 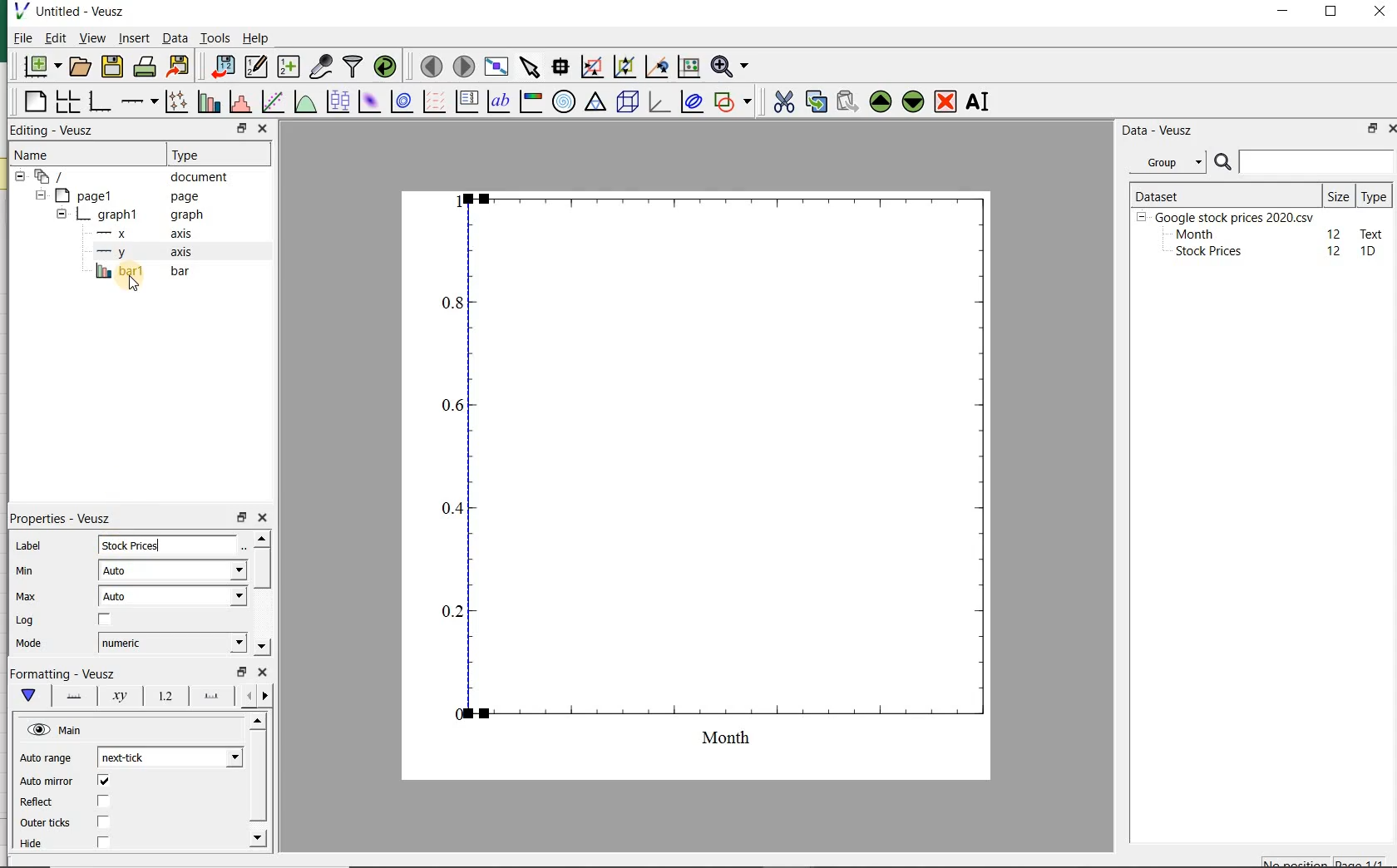 What do you see at coordinates (77, 12) in the screenshot?
I see `Untitled-Veusz` at bounding box center [77, 12].